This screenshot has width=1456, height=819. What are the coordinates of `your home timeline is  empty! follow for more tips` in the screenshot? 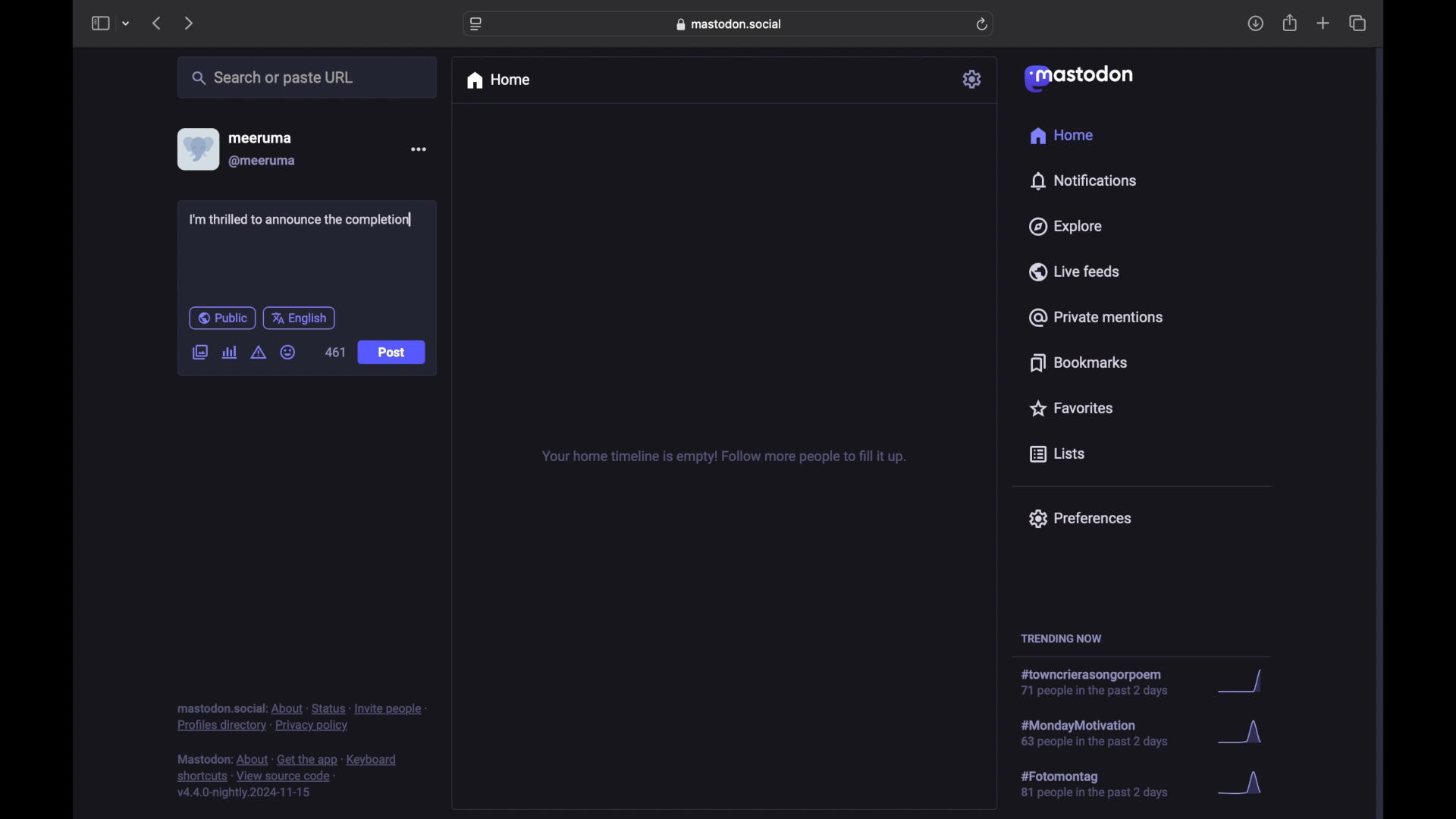 It's located at (722, 457).